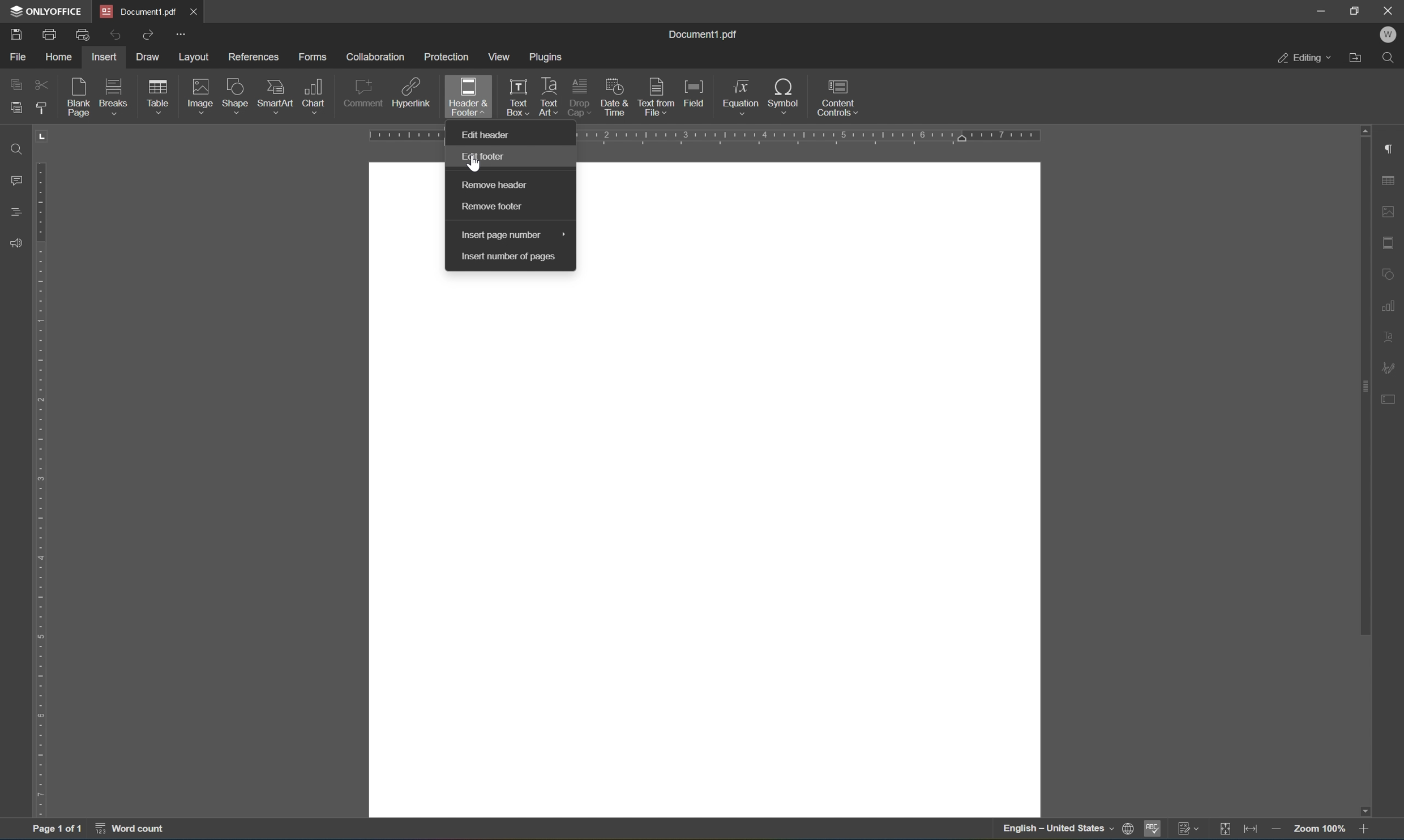 This screenshot has height=840, width=1404. Describe the element at coordinates (14, 57) in the screenshot. I see `file` at that location.